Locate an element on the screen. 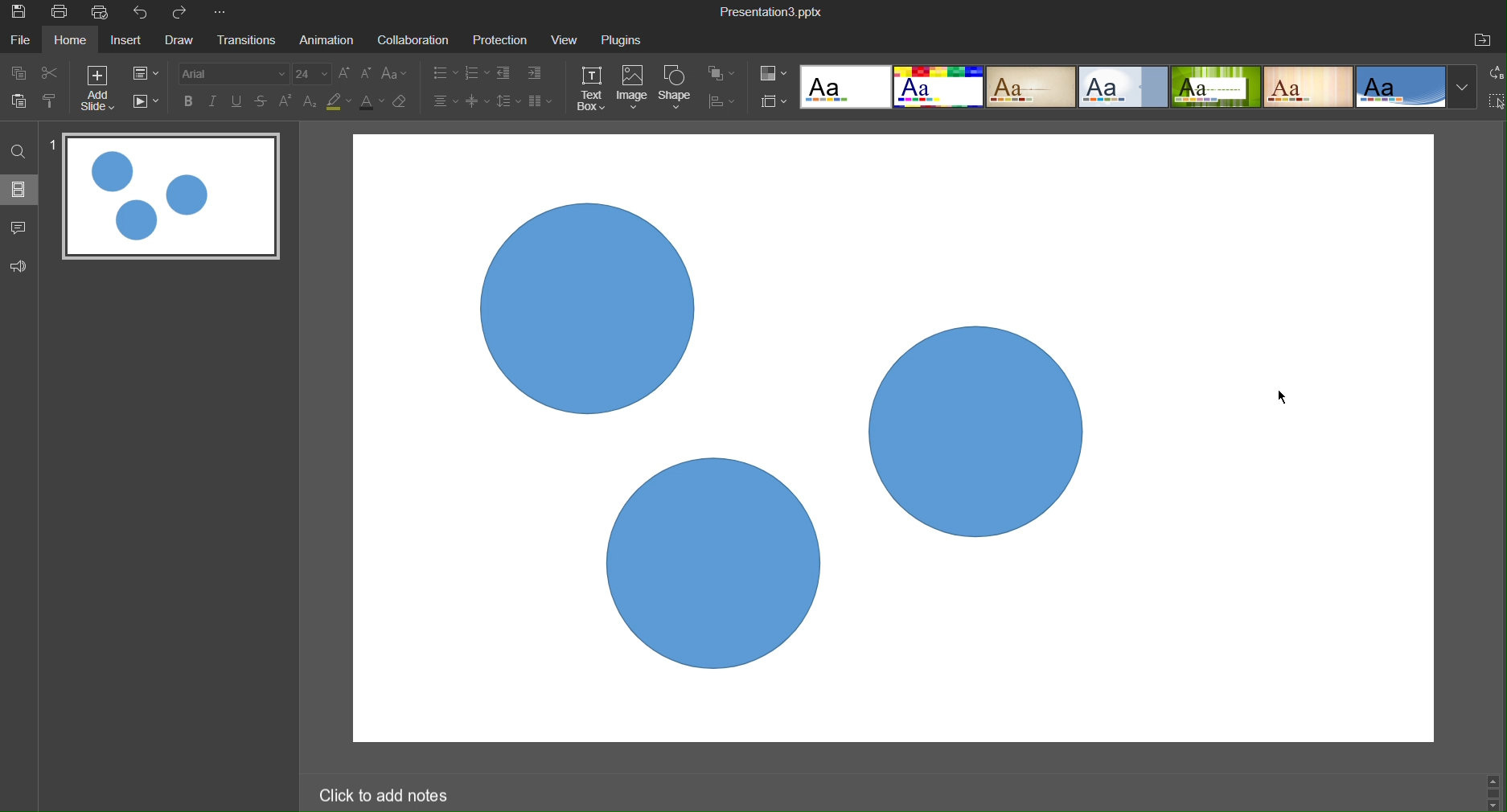  Paste is located at coordinates (18, 107).